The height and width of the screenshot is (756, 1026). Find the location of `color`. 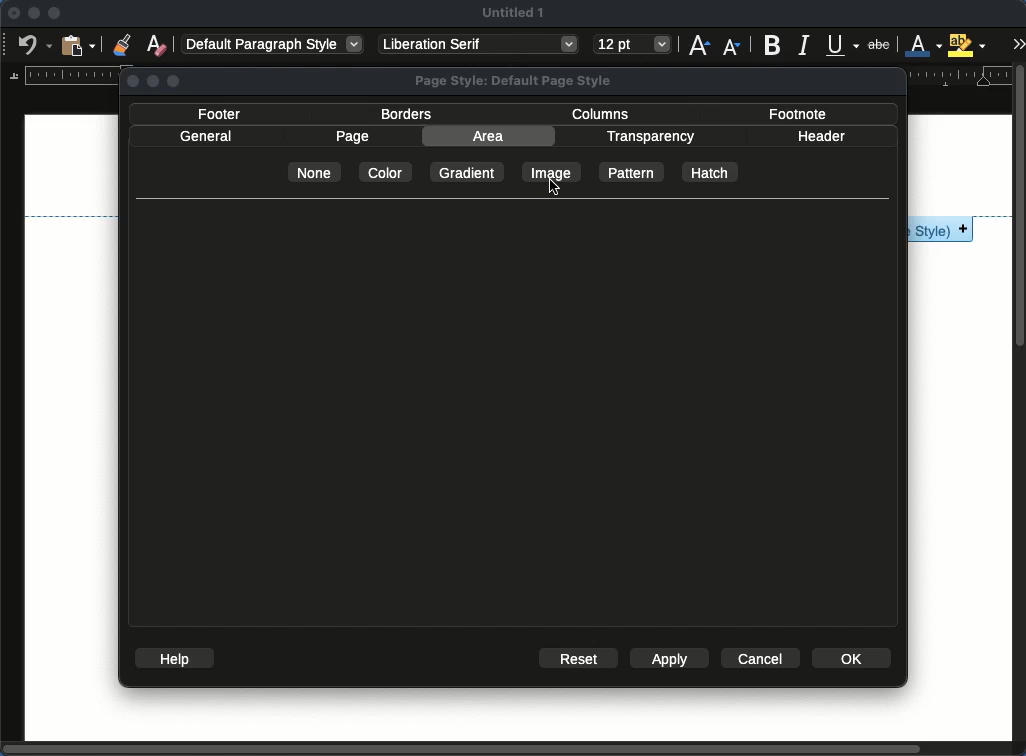

color is located at coordinates (385, 171).